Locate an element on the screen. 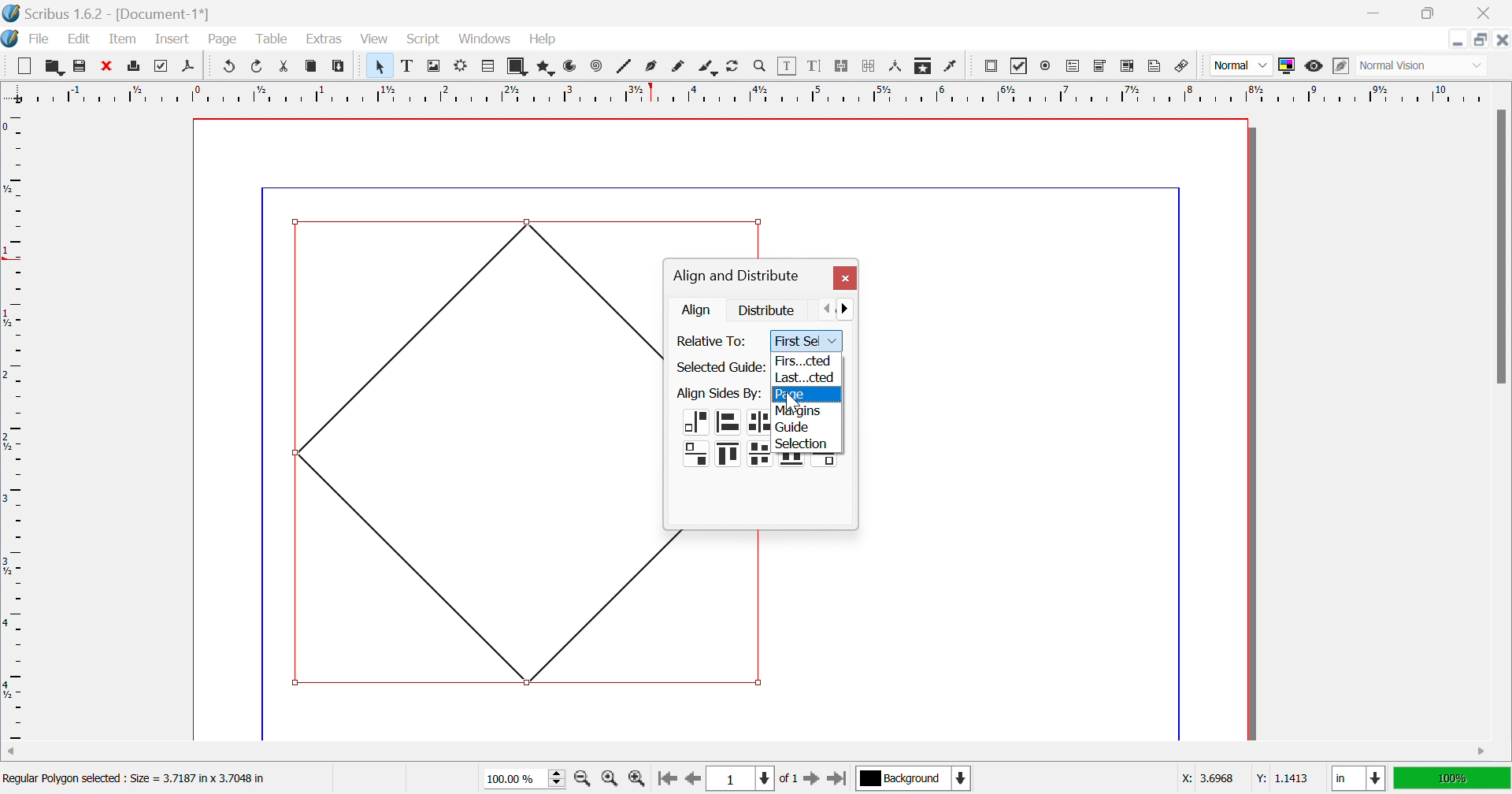 This screenshot has width=1512, height=794. Paste is located at coordinates (341, 66).